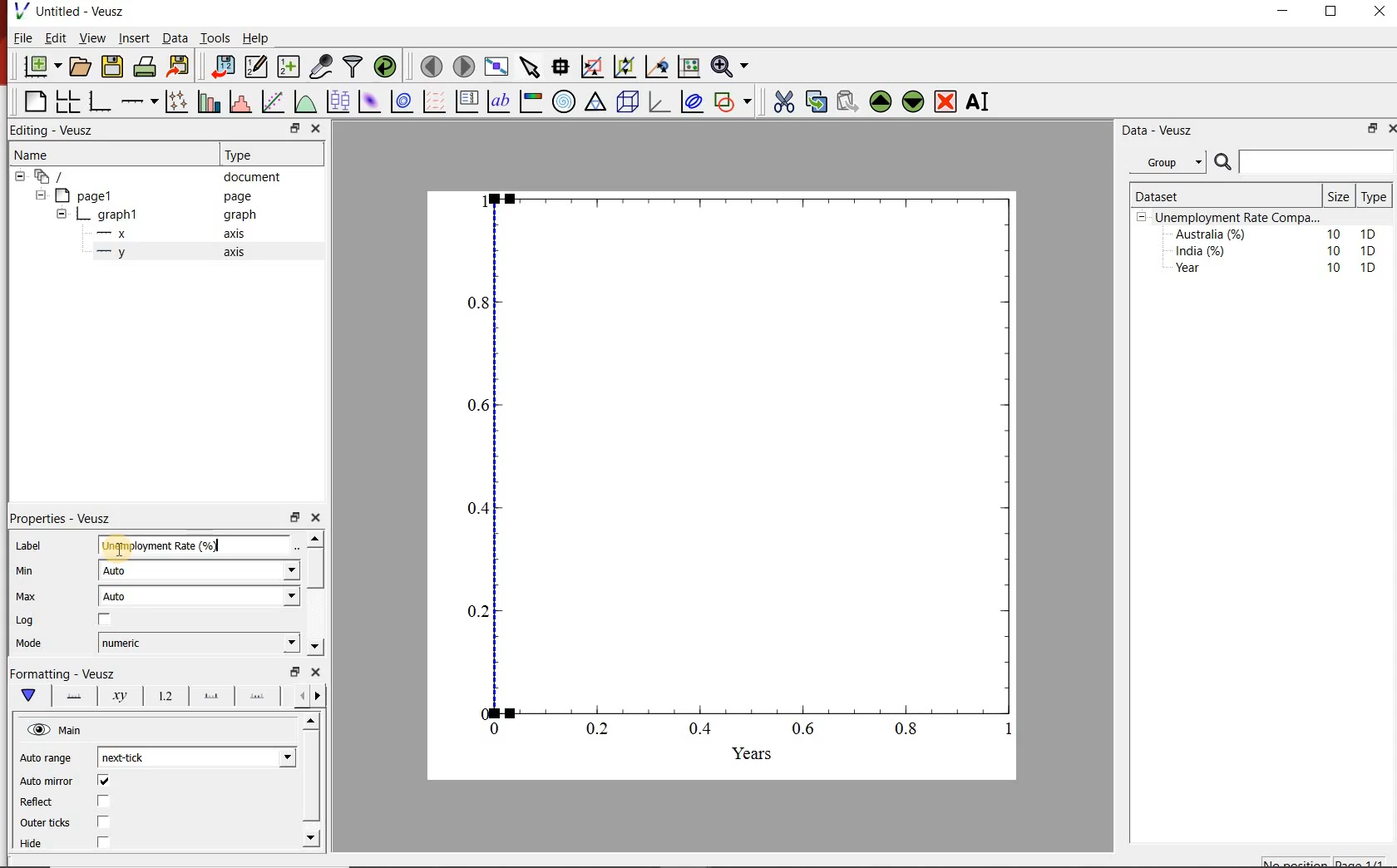  What do you see at coordinates (299, 695) in the screenshot?
I see `more left` at bounding box center [299, 695].